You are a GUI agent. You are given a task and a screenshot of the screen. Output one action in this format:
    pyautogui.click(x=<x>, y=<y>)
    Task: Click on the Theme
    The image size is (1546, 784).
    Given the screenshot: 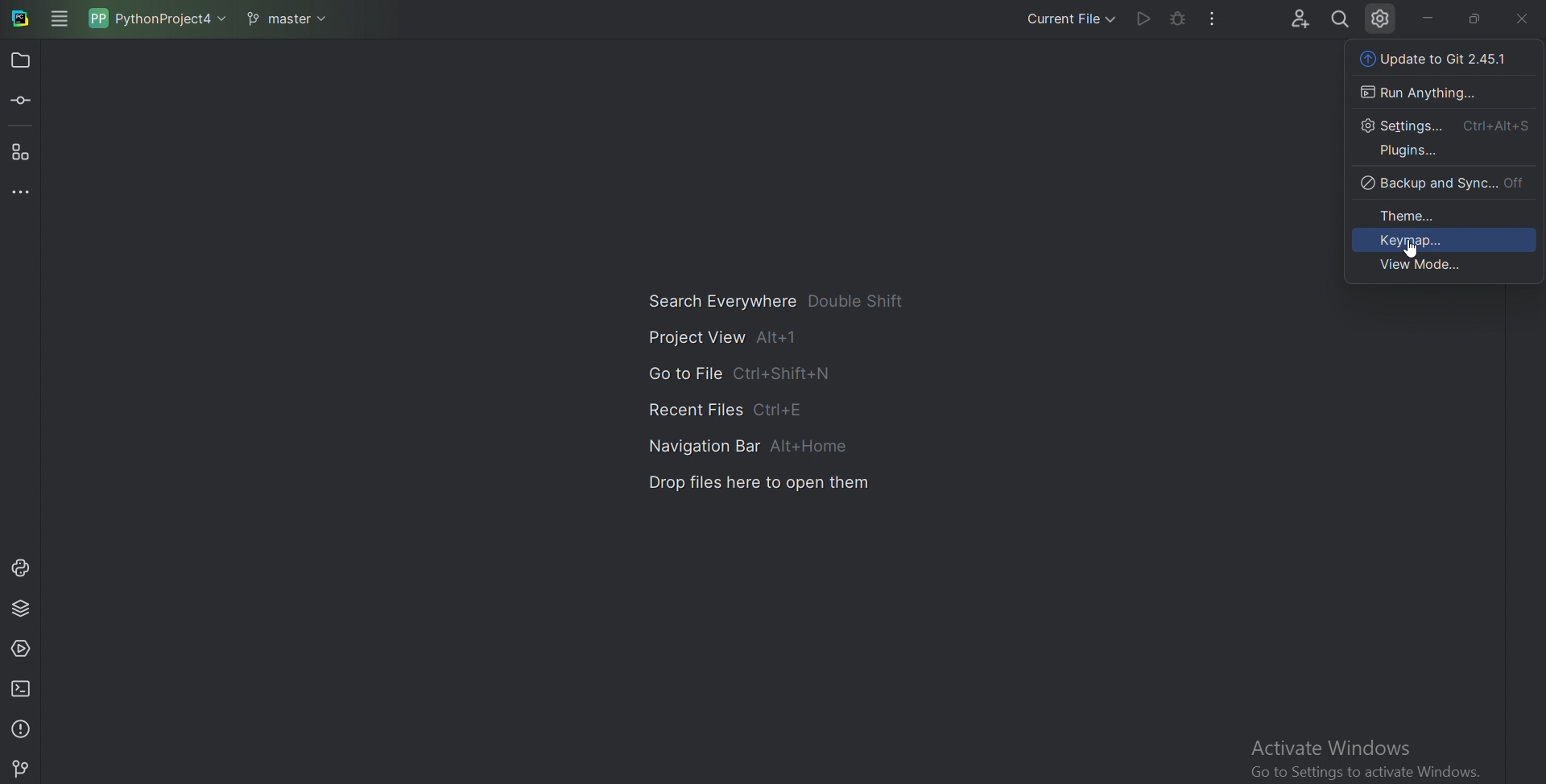 What is the action you would take?
    pyautogui.click(x=1403, y=213)
    